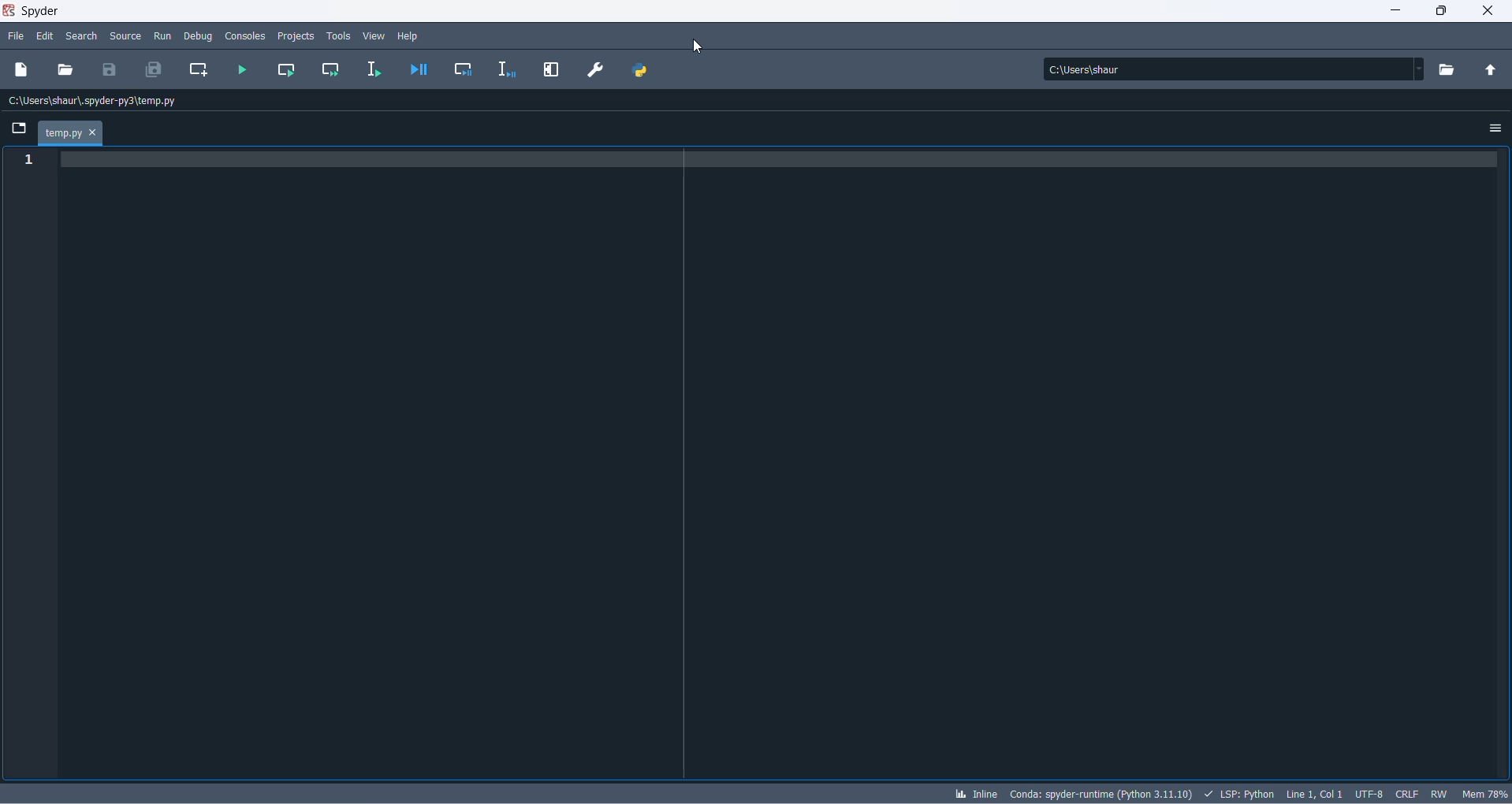  I want to click on view, so click(374, 36).